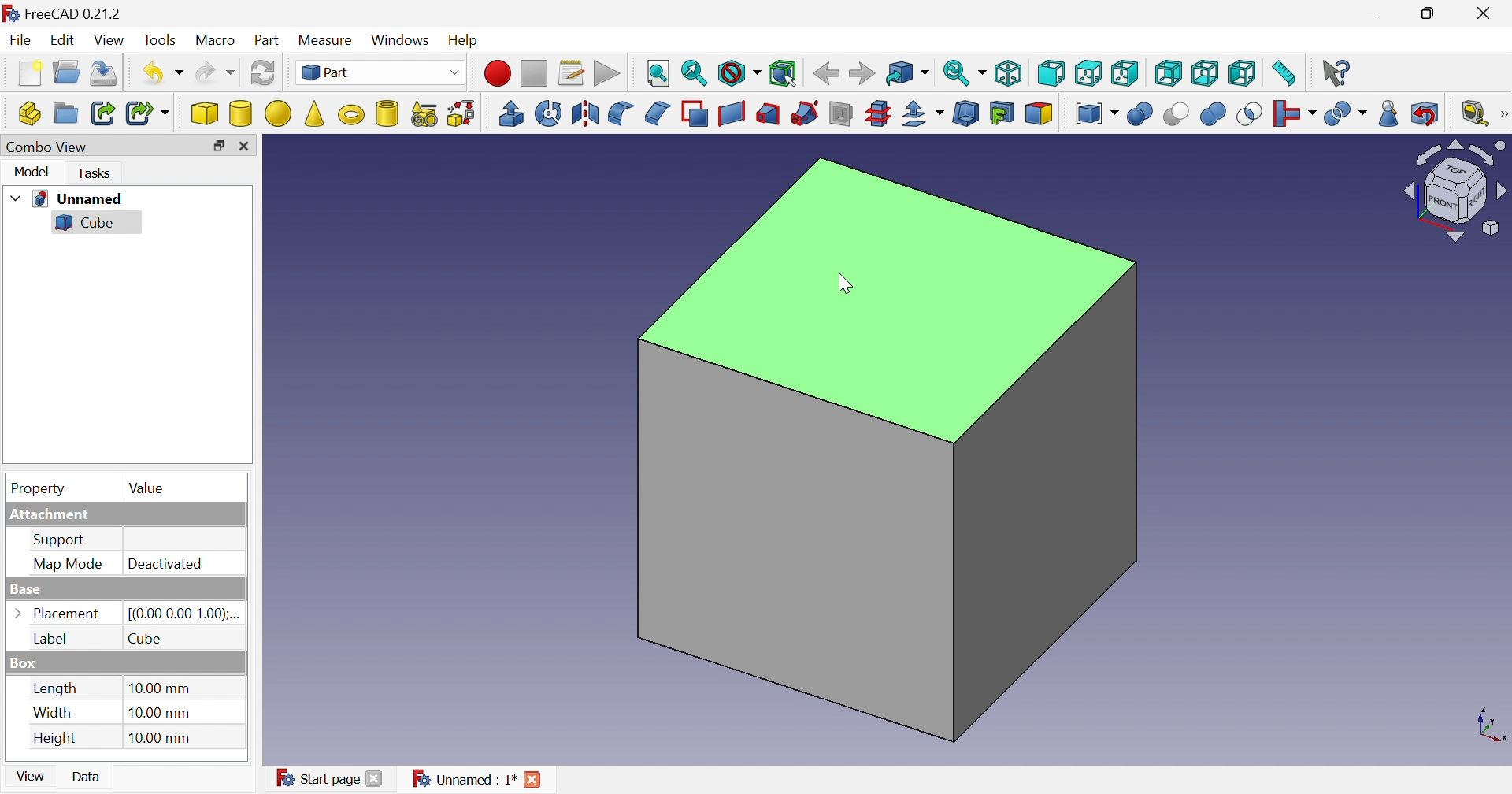 The height and width of the screenshot is (794, 1512). Describe the element at coordinates (269, 41) in the screenshot. I see `Part` at that location.